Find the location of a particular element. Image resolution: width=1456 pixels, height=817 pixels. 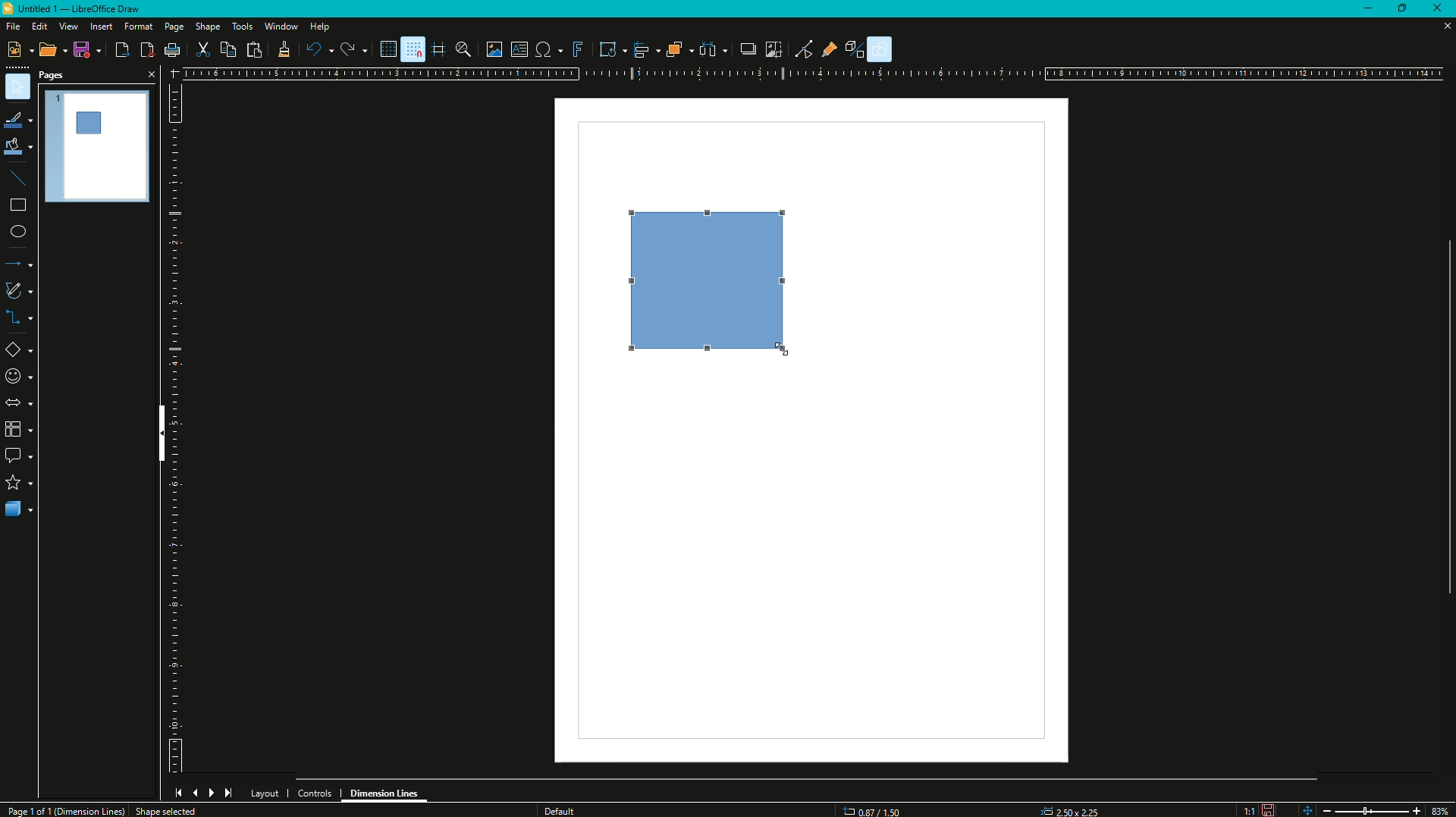

Align Objects is located at coordinates (643, 50).